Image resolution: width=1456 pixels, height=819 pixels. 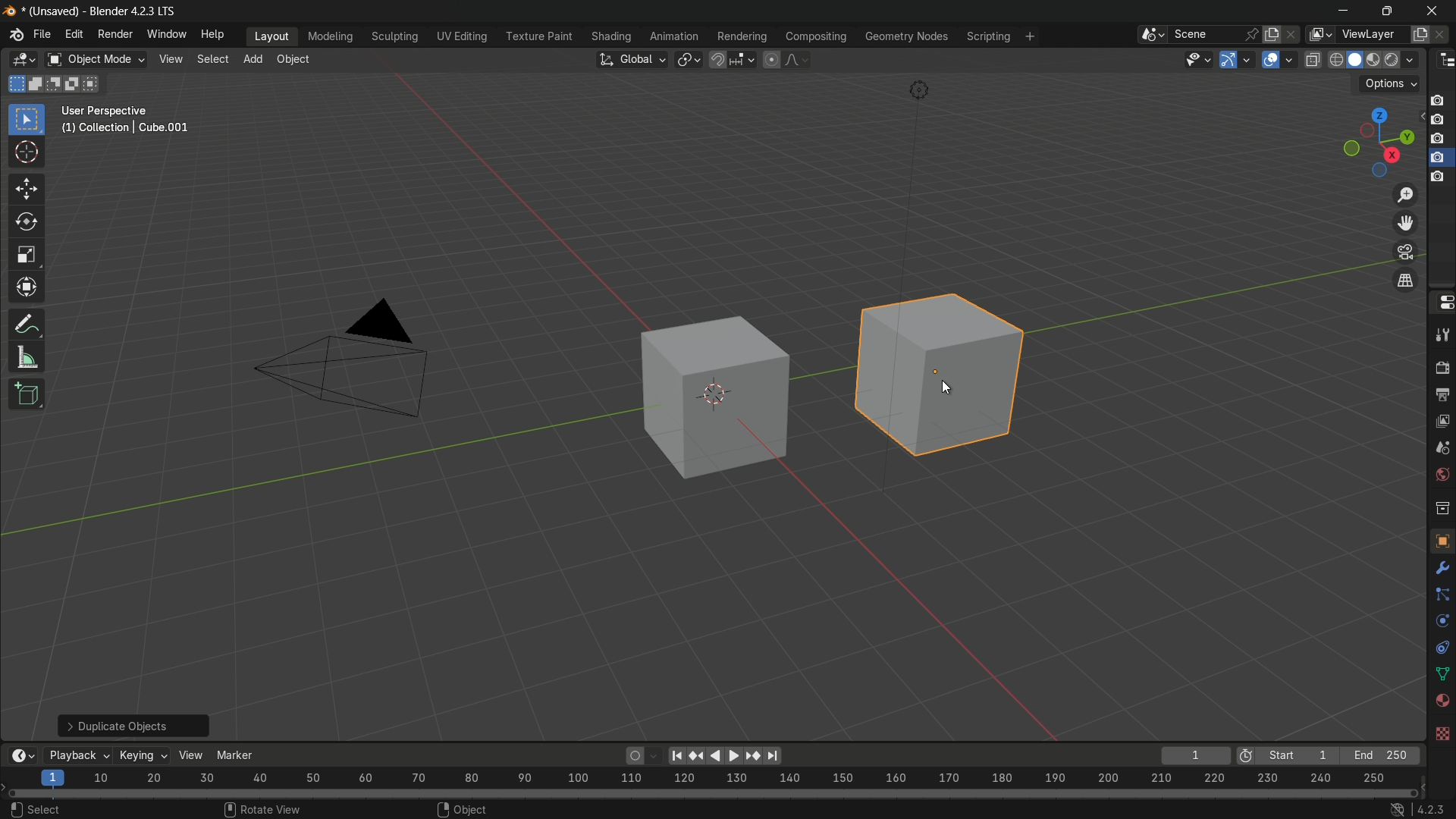 What do you see at coordinates (1270, 33) in the screenshot?
I see `new scene` at bounding box center [1270, 33].